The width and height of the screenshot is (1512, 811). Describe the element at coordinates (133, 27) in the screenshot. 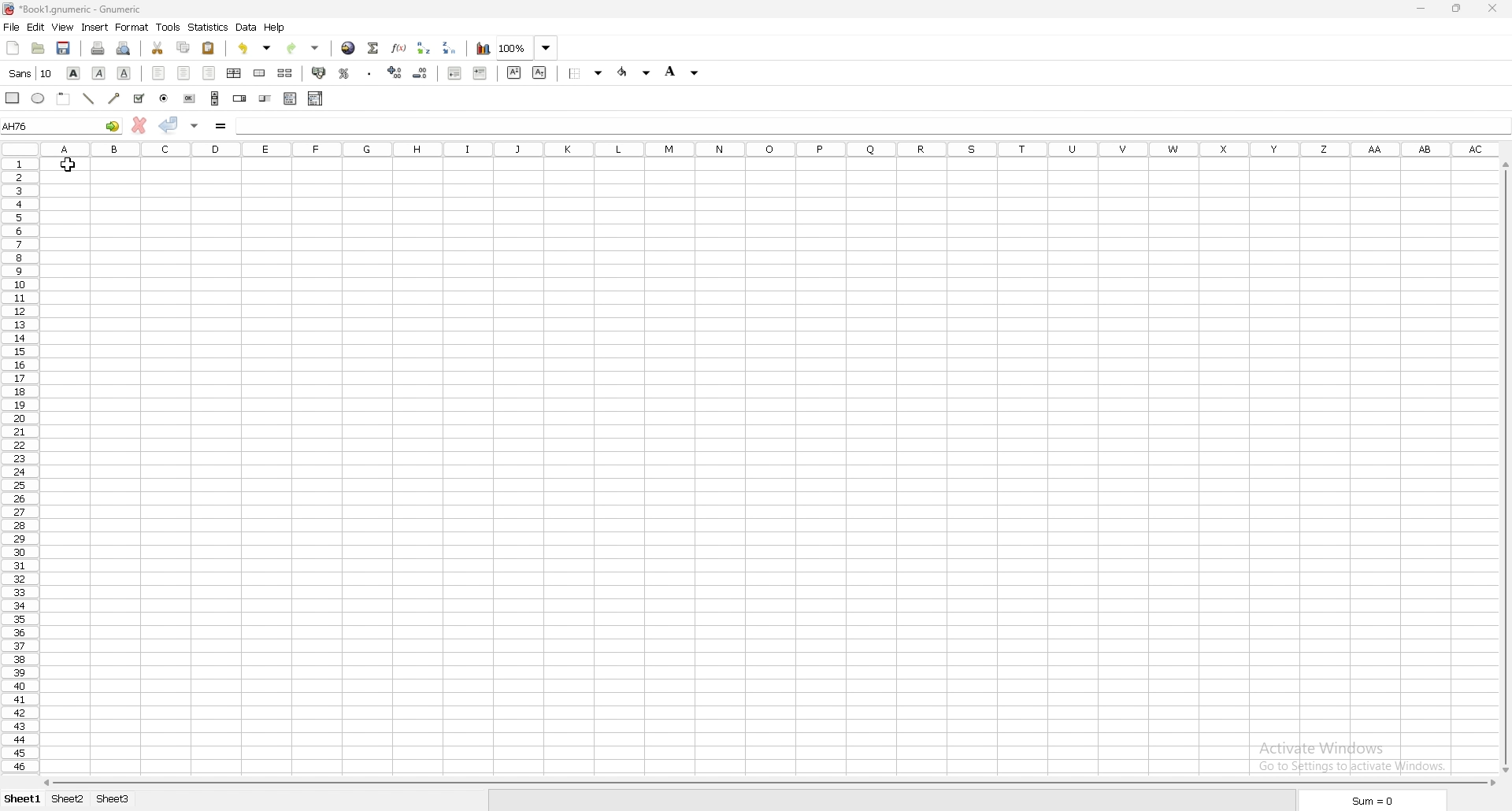

I see `format` at that location.